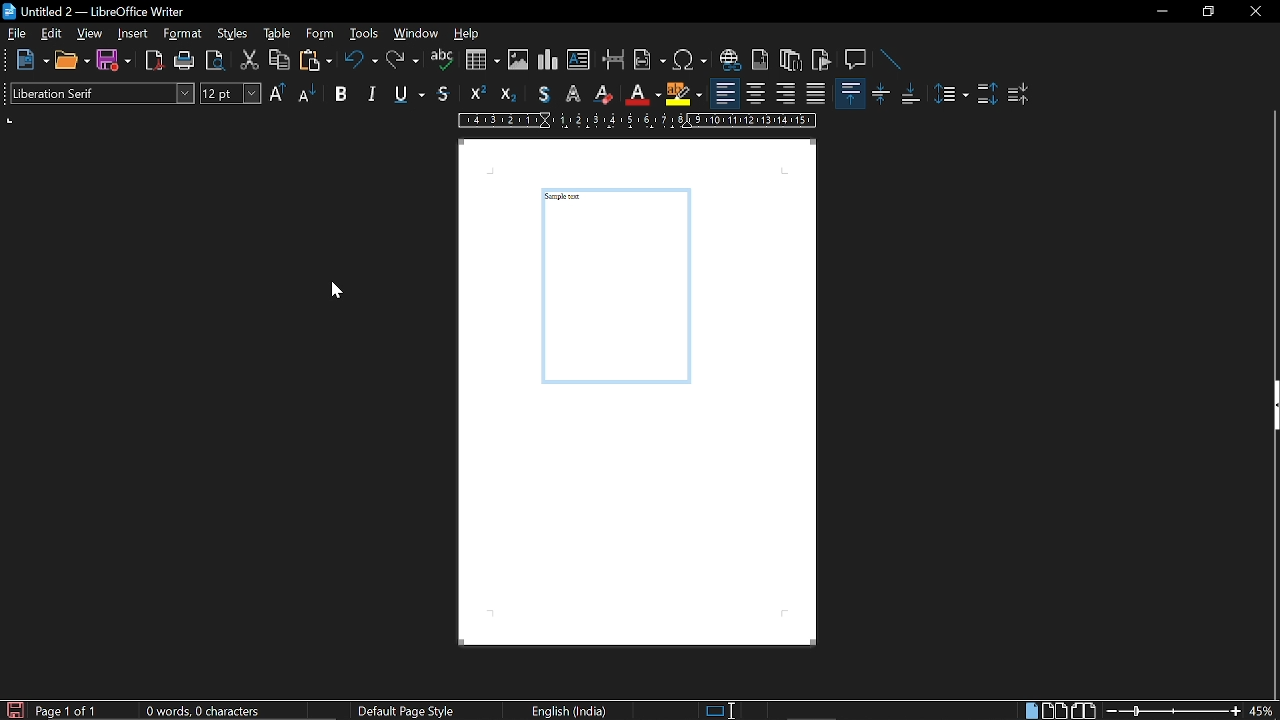 This screenshot has width=1280, height=720. What do you see at coordinates (787, 95) in the screenshot?
I see `align right` at bounding box center [787, 95].